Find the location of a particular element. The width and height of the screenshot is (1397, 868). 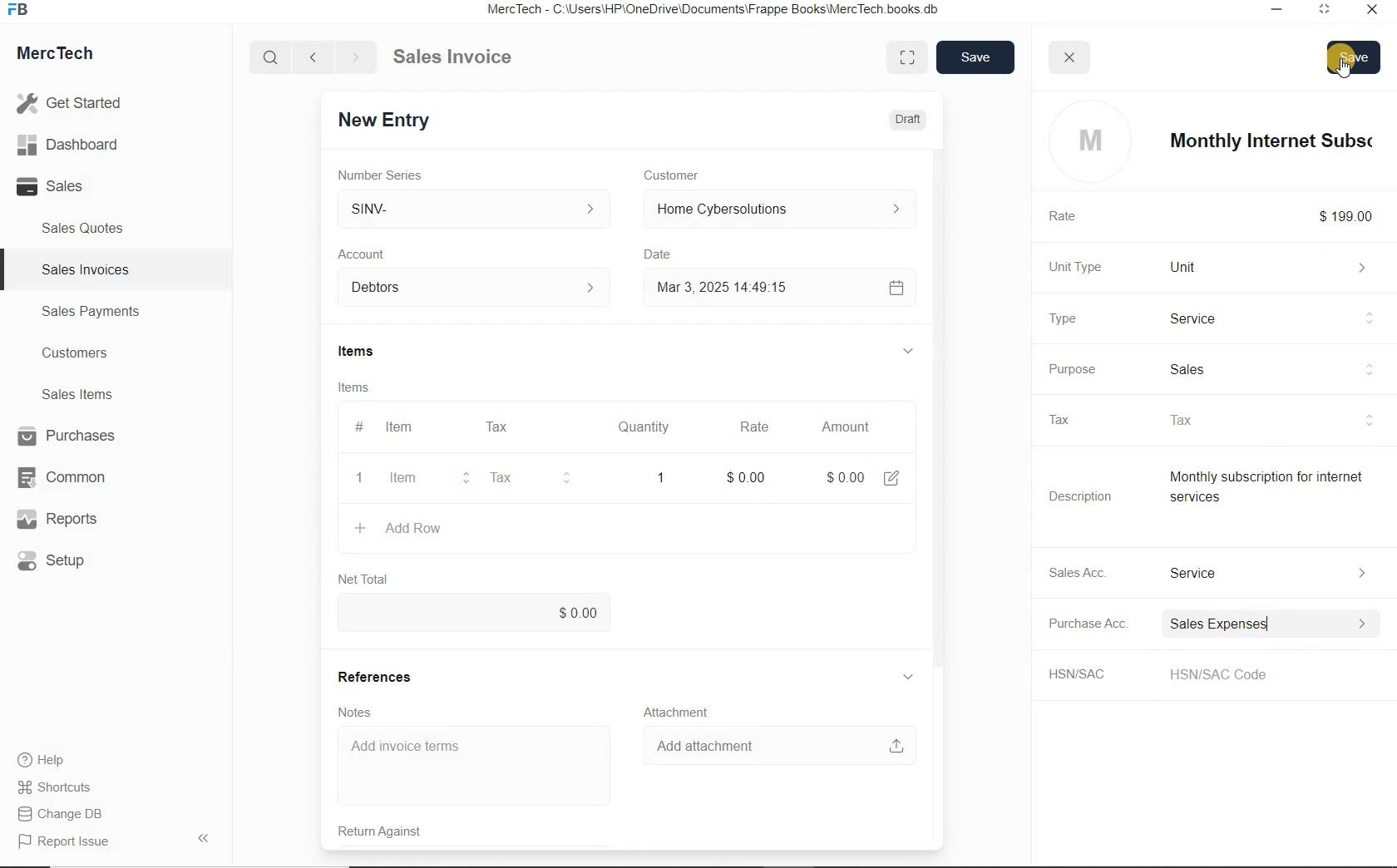

rate: $0.00 is located at coordinates (745, 476).